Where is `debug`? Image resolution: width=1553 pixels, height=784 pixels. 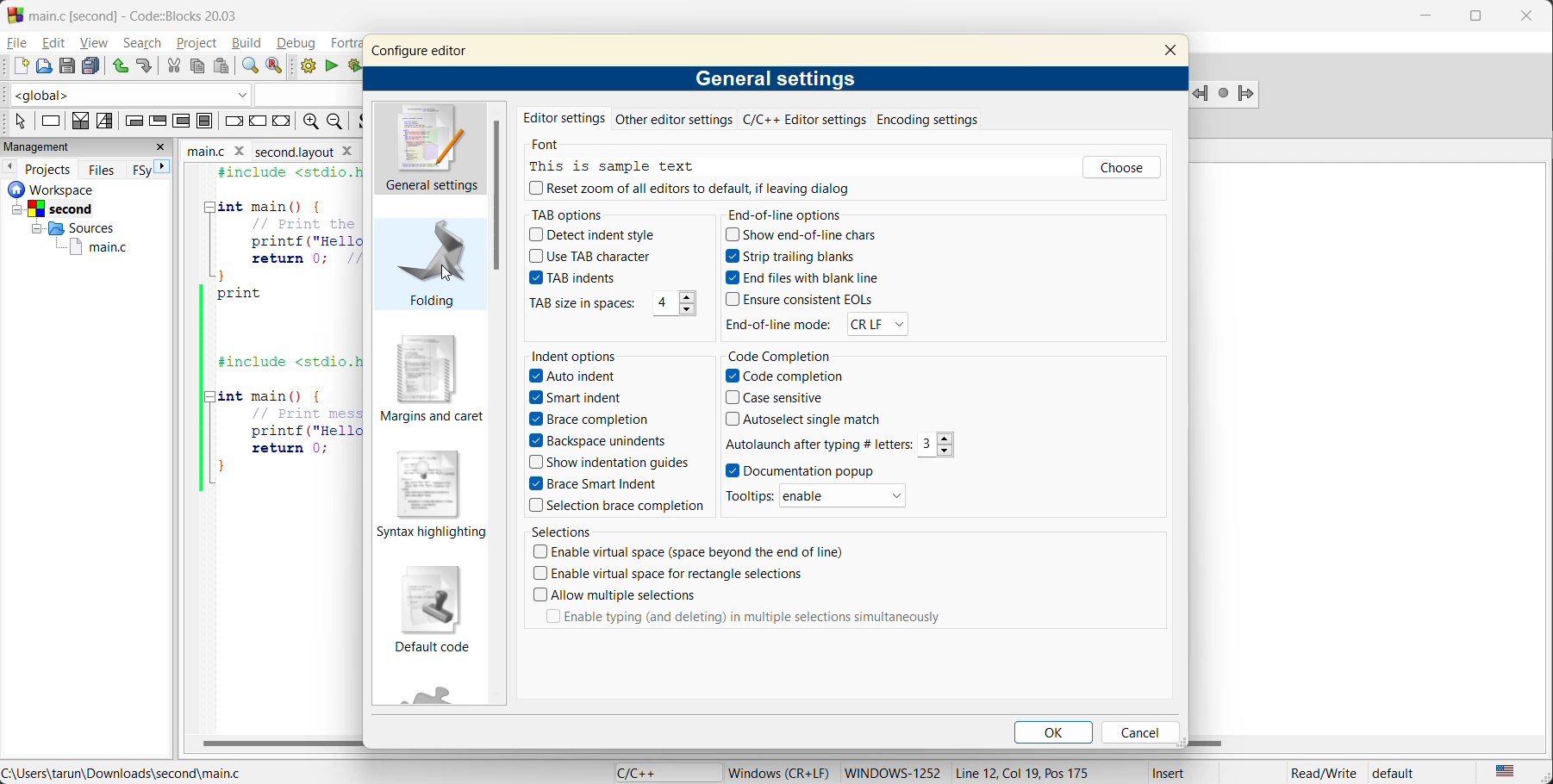 debug is located at coordinates (297, 44).